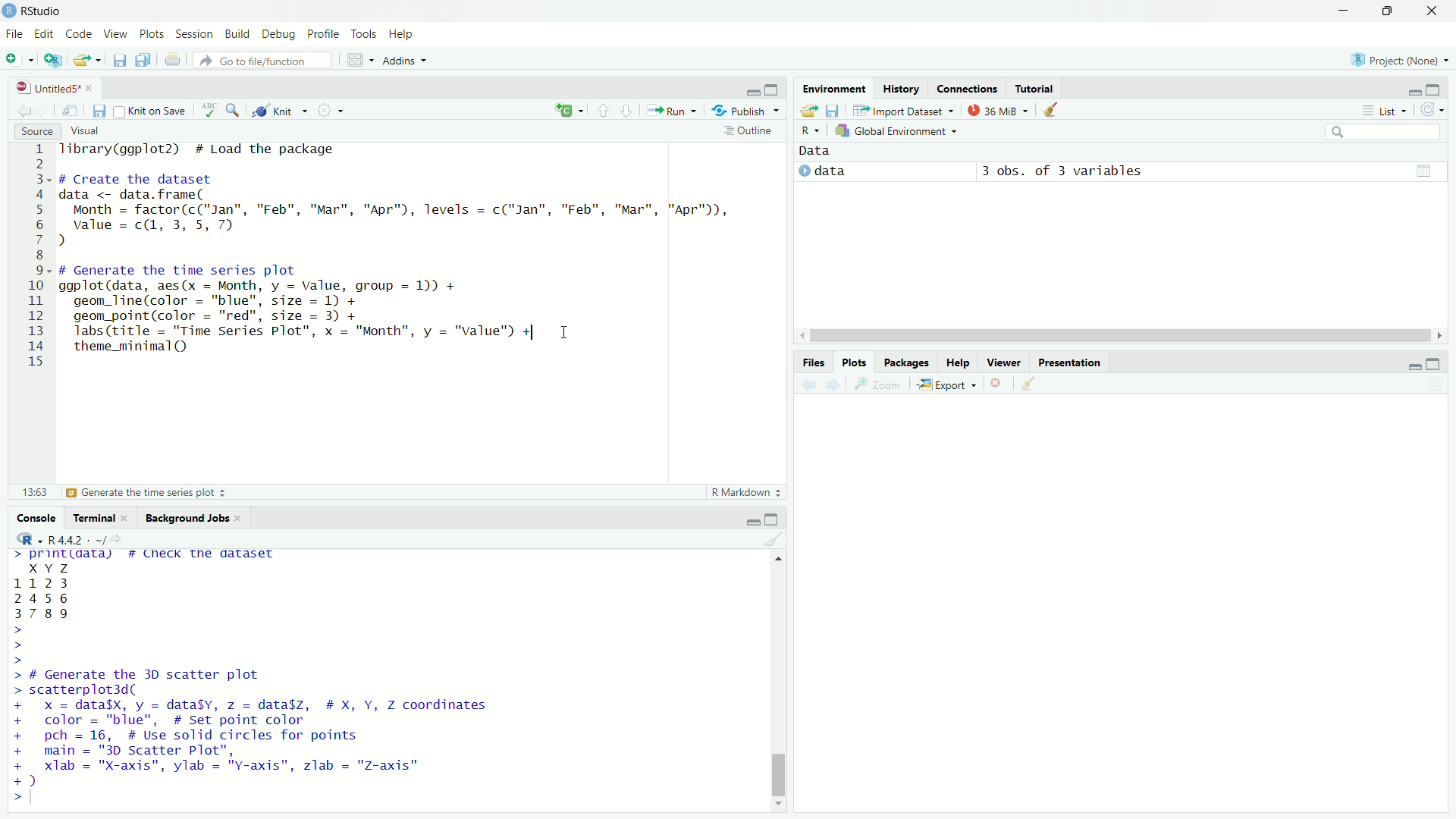 The image size is (1456, 819). Describe the element at coordinates (259, 728) in the screenshot. I see `code to generate the 3d scatter plot` at that location.